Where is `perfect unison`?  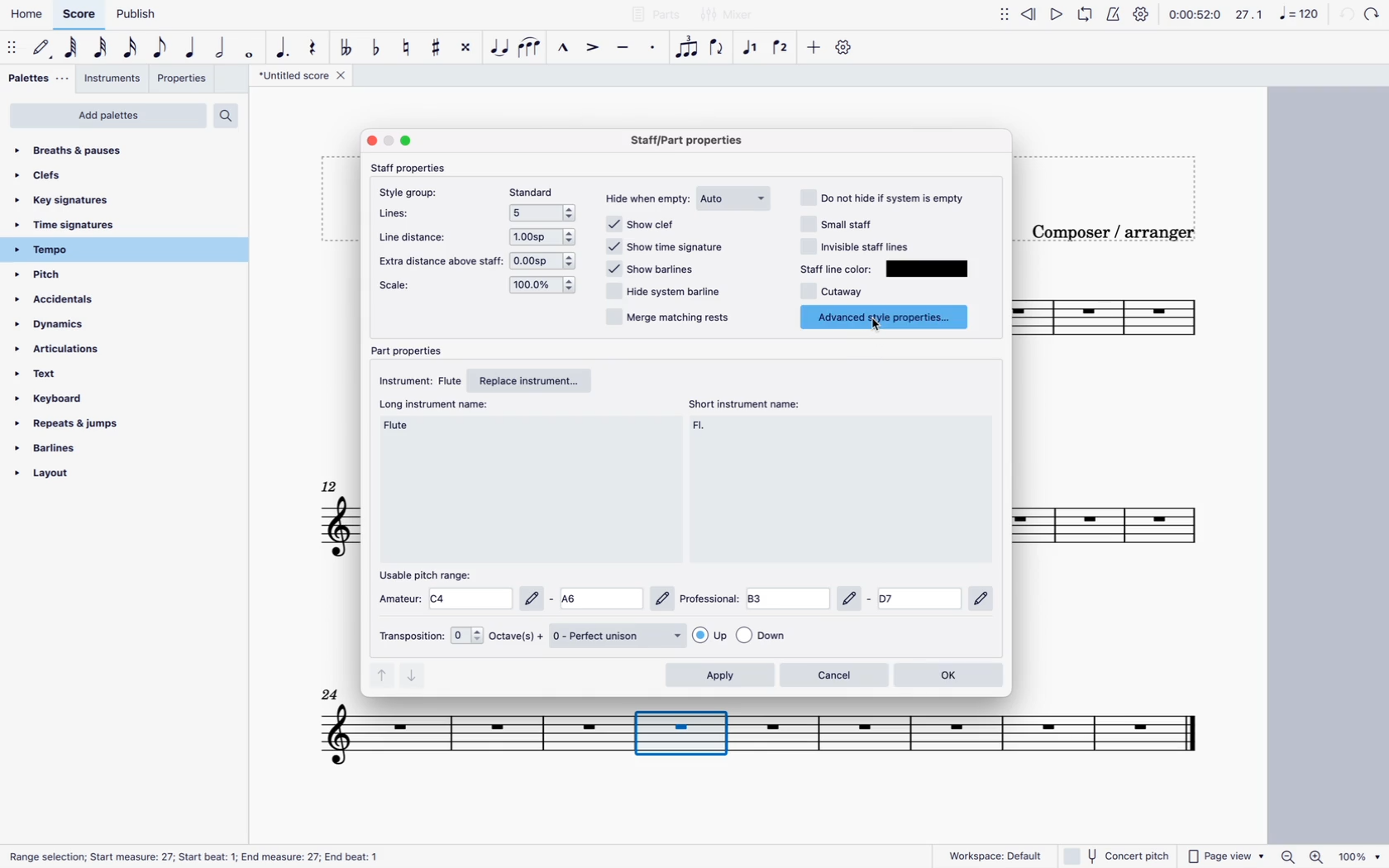
perfect unison is located at coordinates (618, 636).